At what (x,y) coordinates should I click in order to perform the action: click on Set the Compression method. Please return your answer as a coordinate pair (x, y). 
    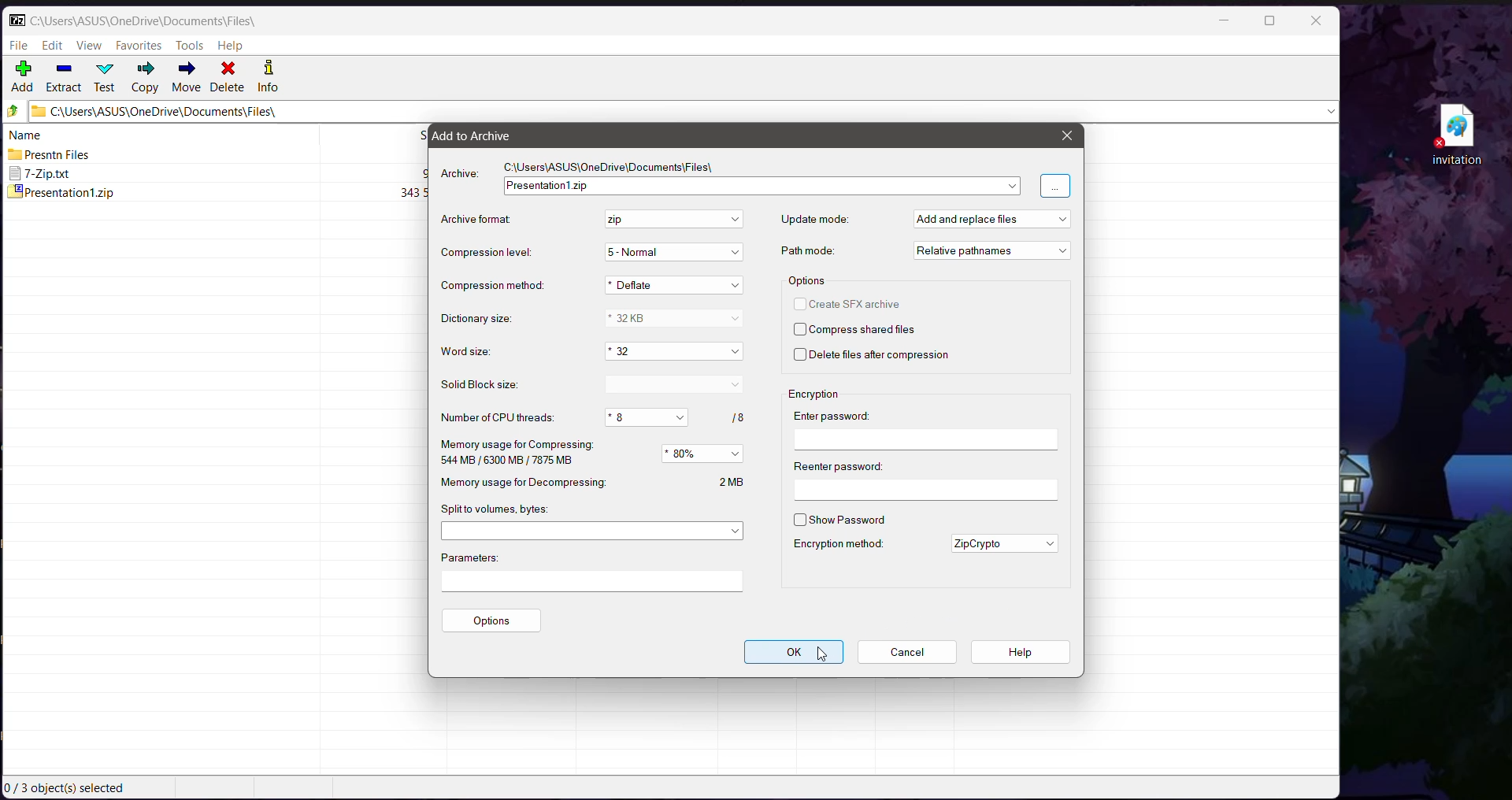
    Looking at the image, I should click on (676, 285).